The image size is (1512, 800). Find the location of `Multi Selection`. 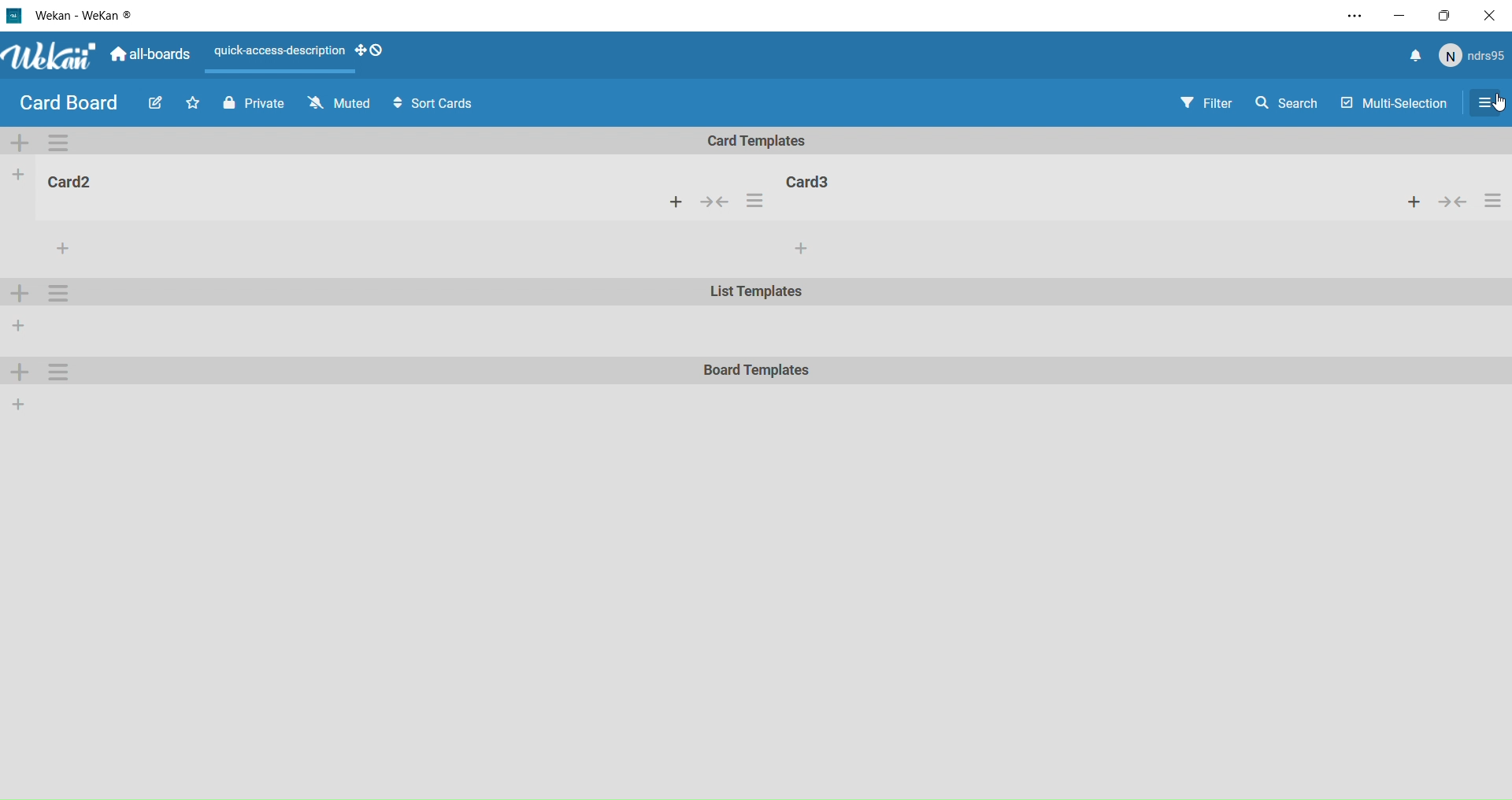

Multi Selection is located at coordinates (1392, 99).